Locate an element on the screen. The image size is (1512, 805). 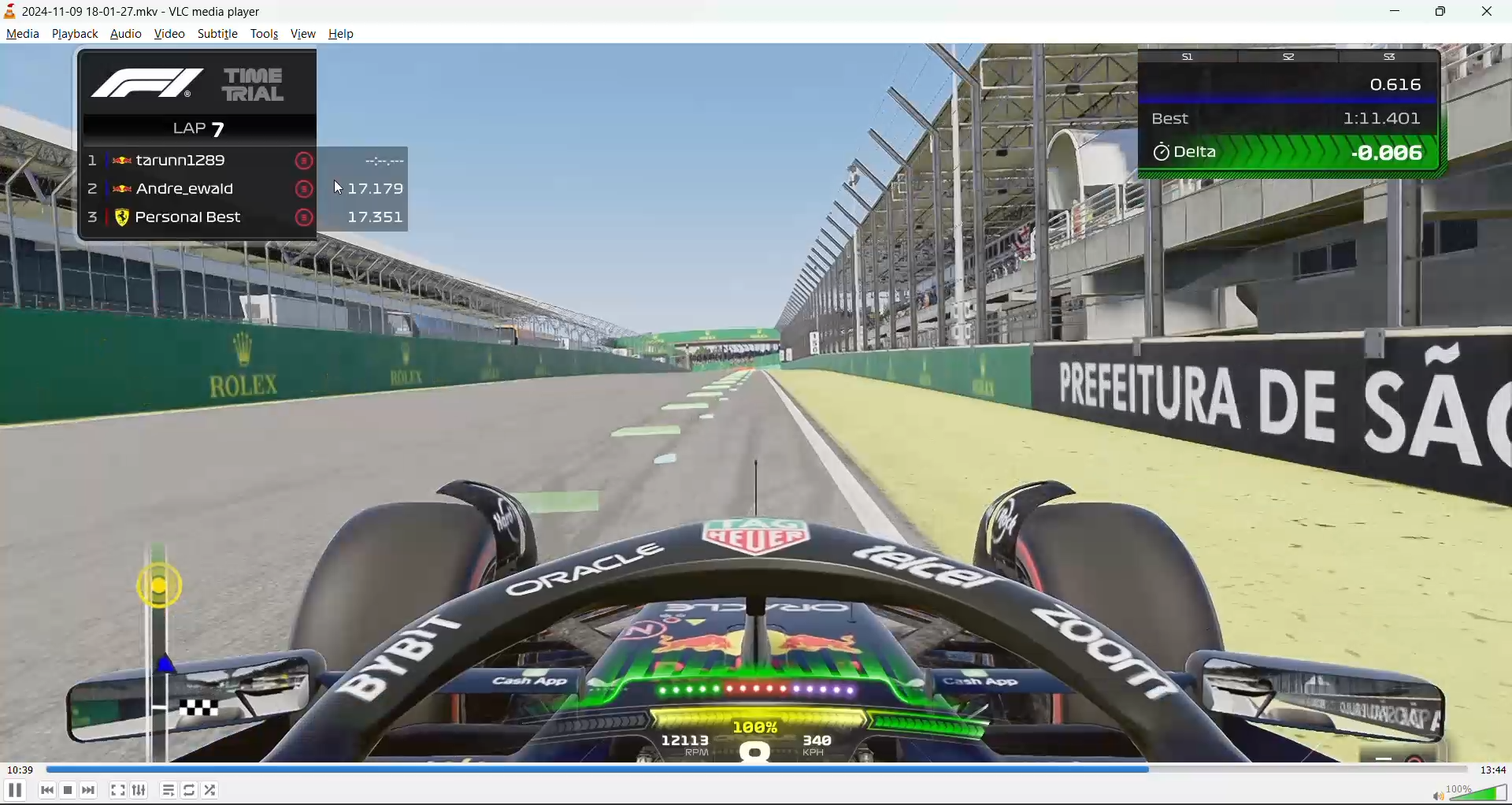
toggle loop is located at coordinates (191, 791).